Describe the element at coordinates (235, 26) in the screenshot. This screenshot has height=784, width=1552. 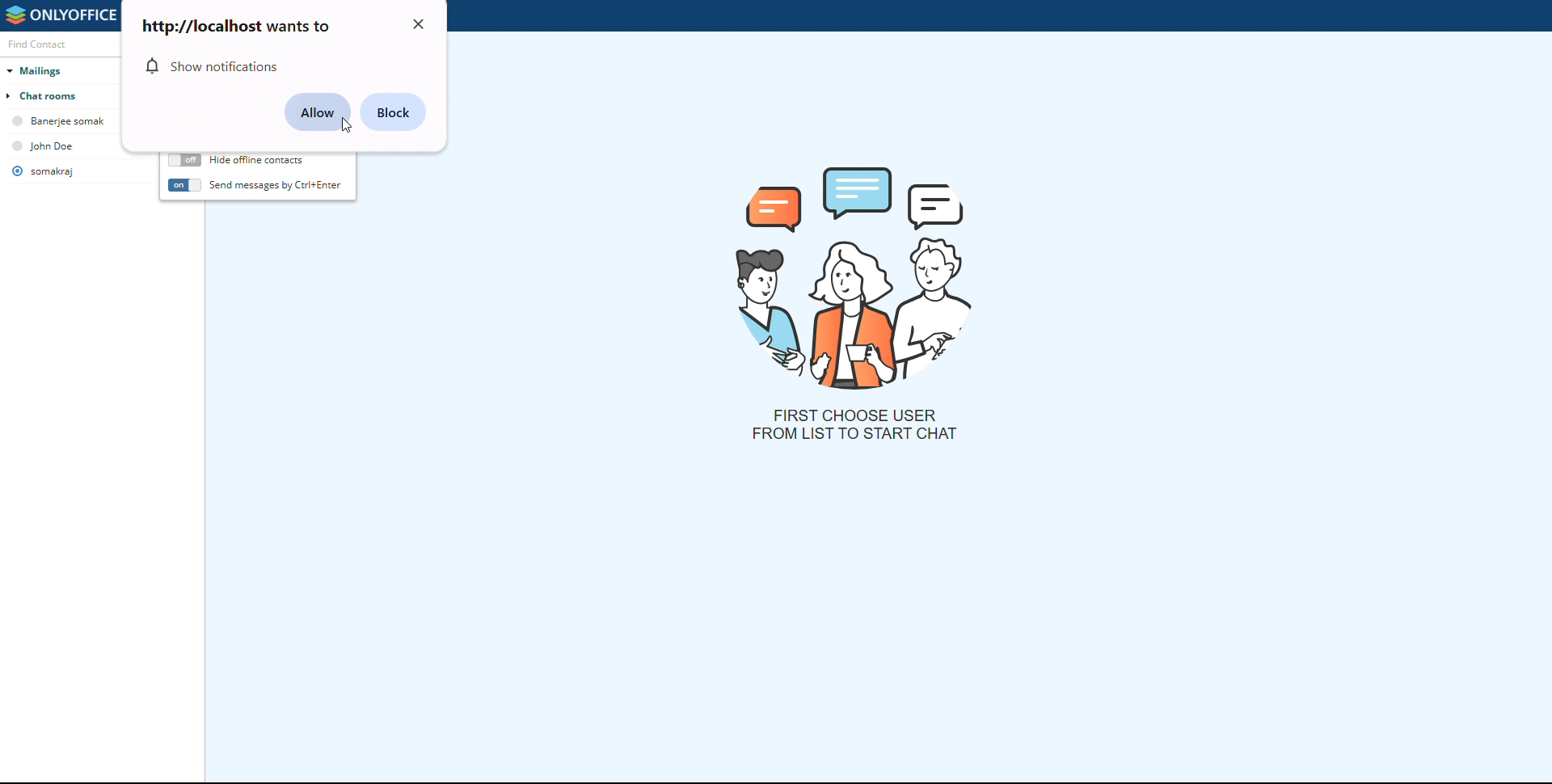
I see `http://localhost wants to` at that location.